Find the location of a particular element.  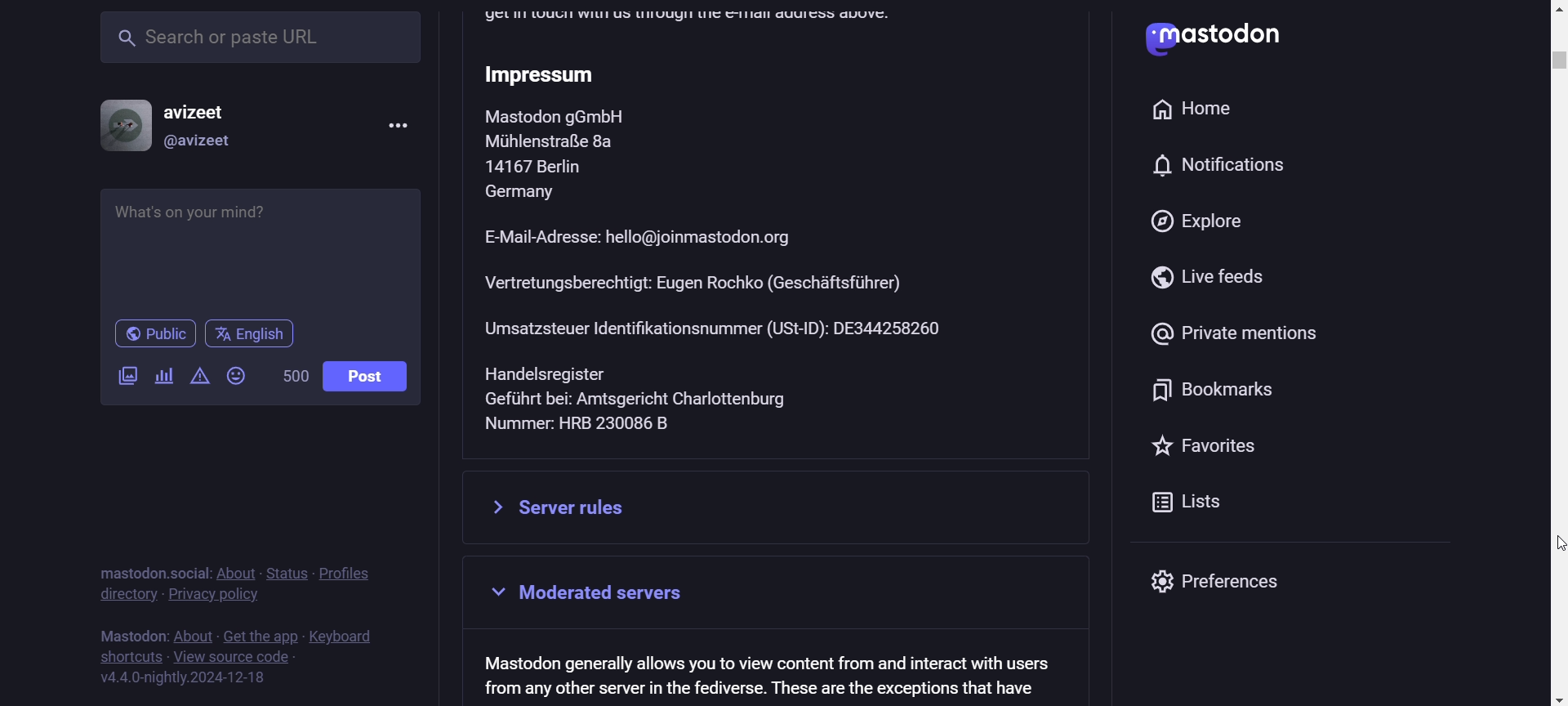

word limit is located at coordinates (292, 378).